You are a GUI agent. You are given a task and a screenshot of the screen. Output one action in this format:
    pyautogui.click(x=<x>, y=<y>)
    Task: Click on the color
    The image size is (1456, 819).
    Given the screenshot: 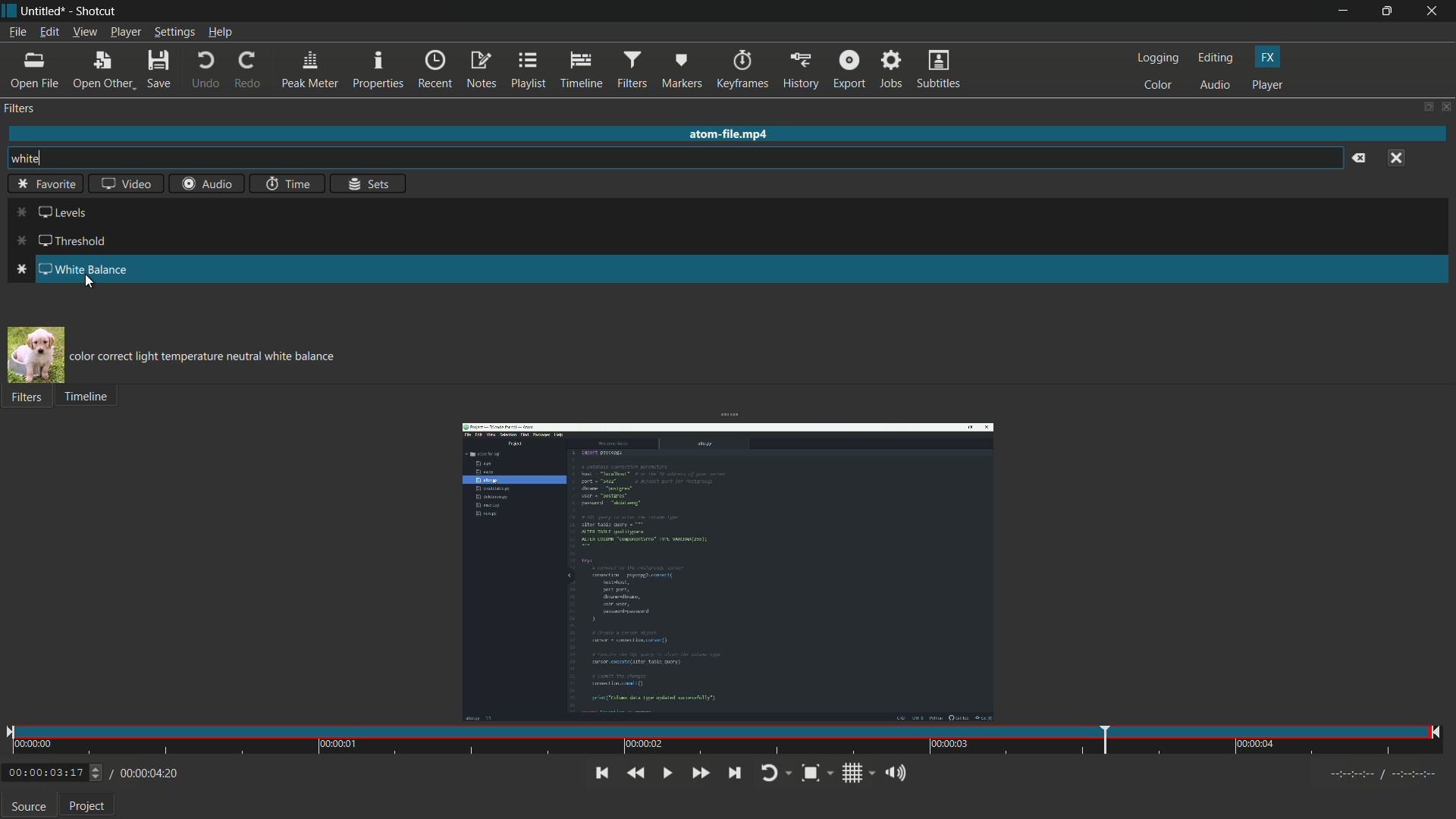 What is the action you would take?
    pyautogui.click(x=1158, y=86)
    